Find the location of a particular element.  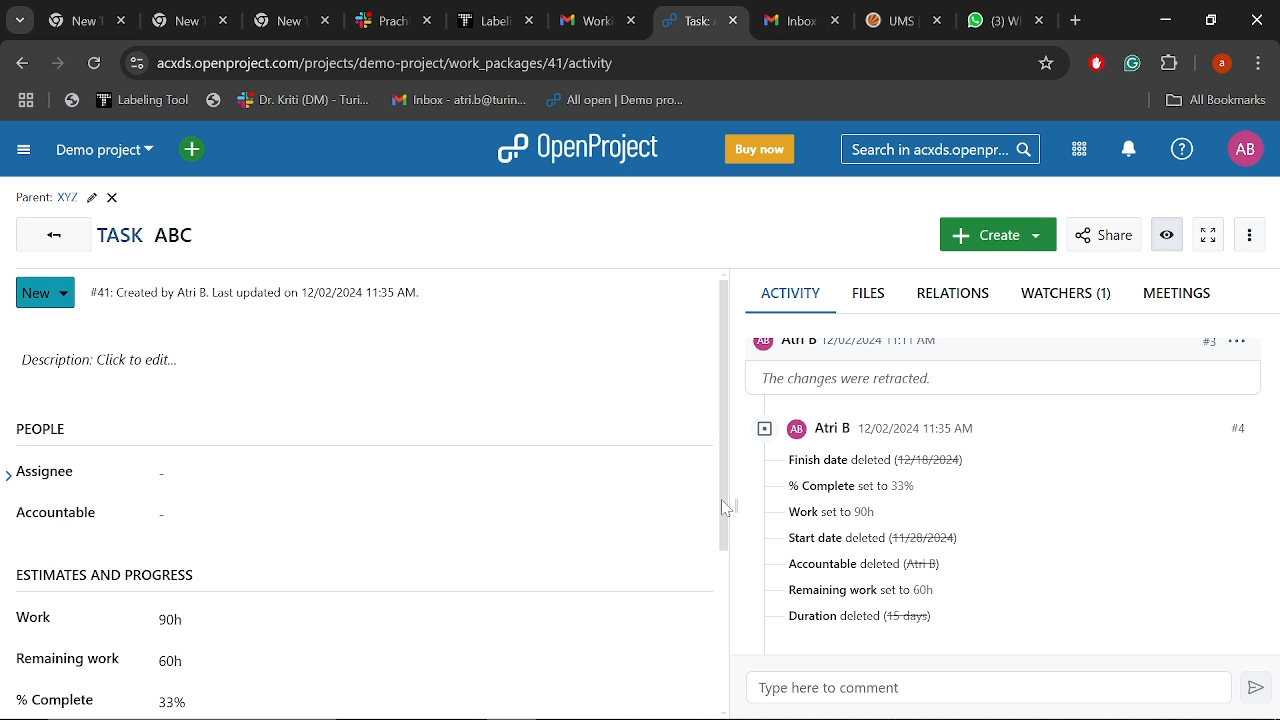

Next page is located at coordinates (60, 65).